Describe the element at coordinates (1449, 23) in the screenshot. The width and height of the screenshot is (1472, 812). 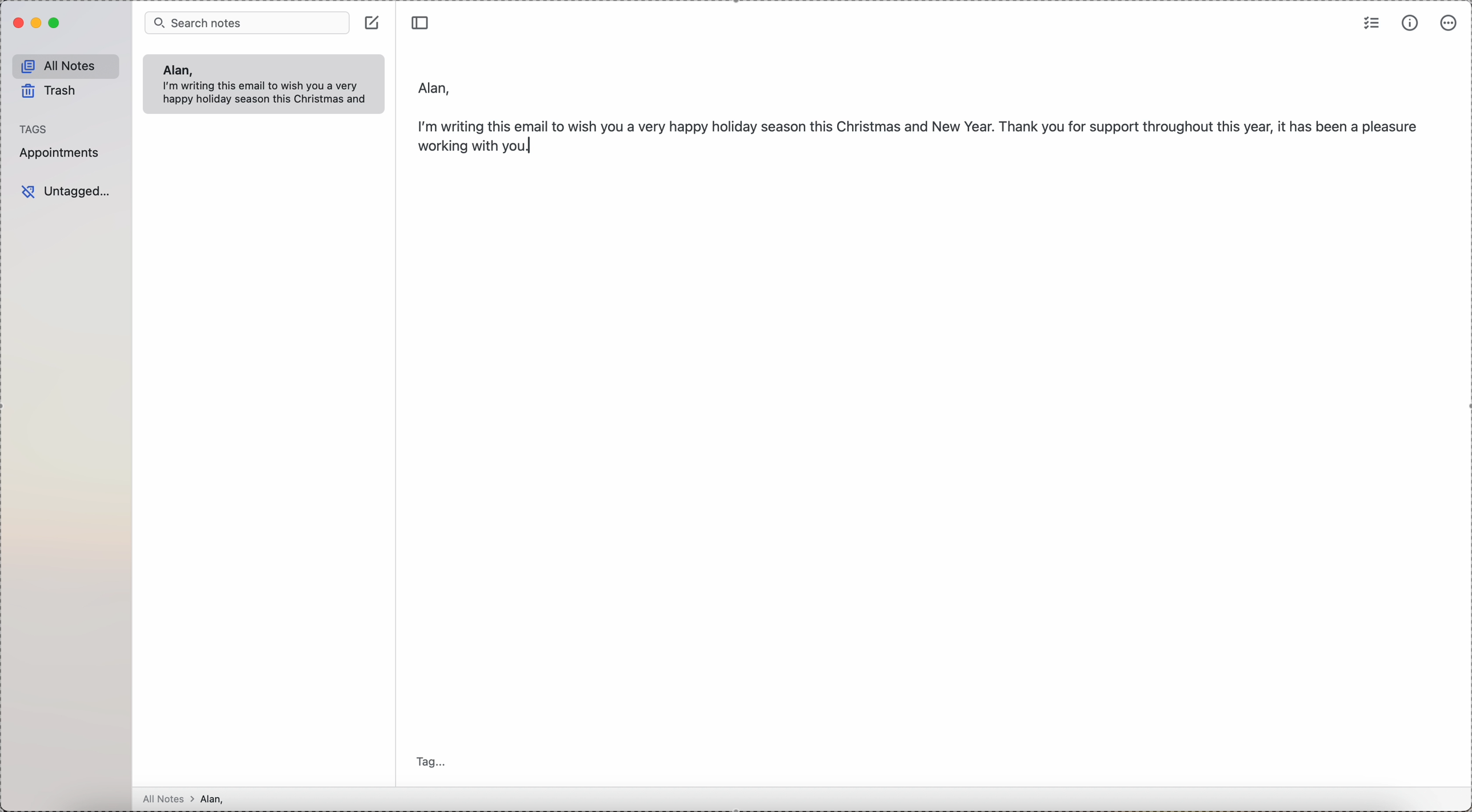
I see `more options` at that location.